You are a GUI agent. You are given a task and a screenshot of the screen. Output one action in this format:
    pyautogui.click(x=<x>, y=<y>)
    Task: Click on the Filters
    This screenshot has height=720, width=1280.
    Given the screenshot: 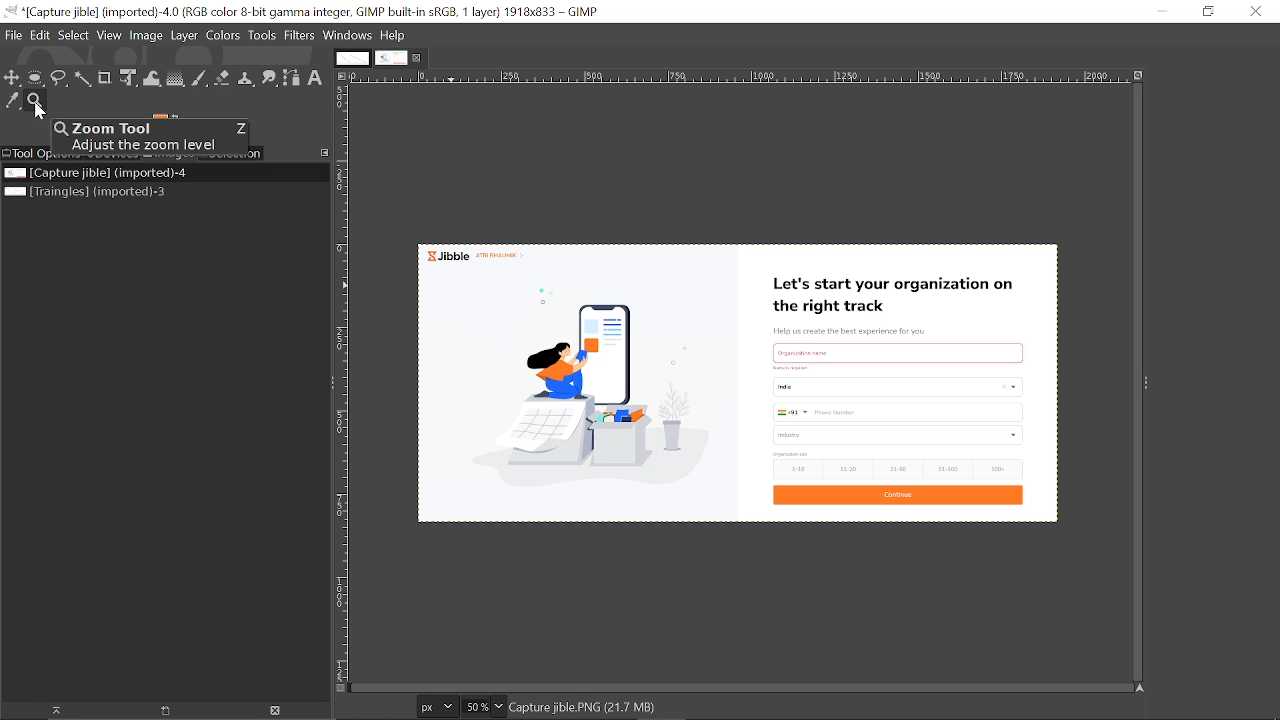 What is the action you would take?
    pyautogui.click(x=299, y=37)
    